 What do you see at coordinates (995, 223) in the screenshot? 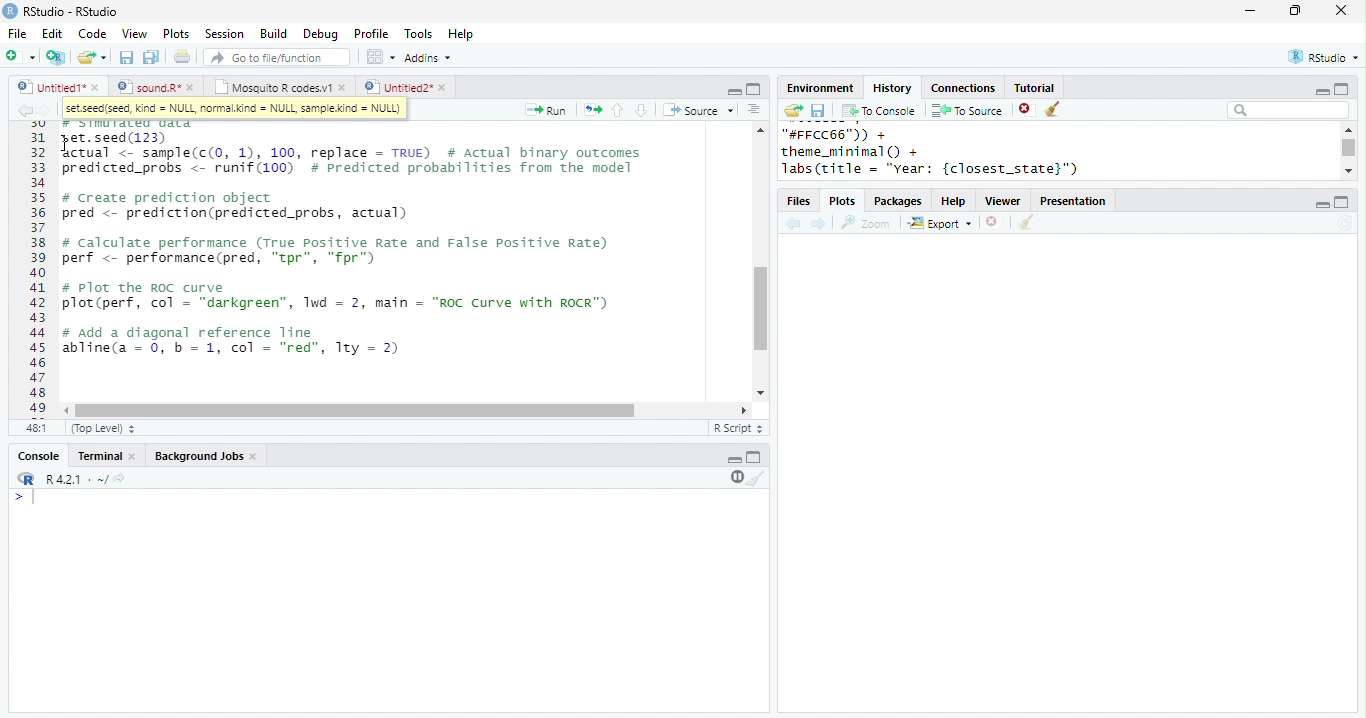
I see `close file` at bounding box center [995, 223].